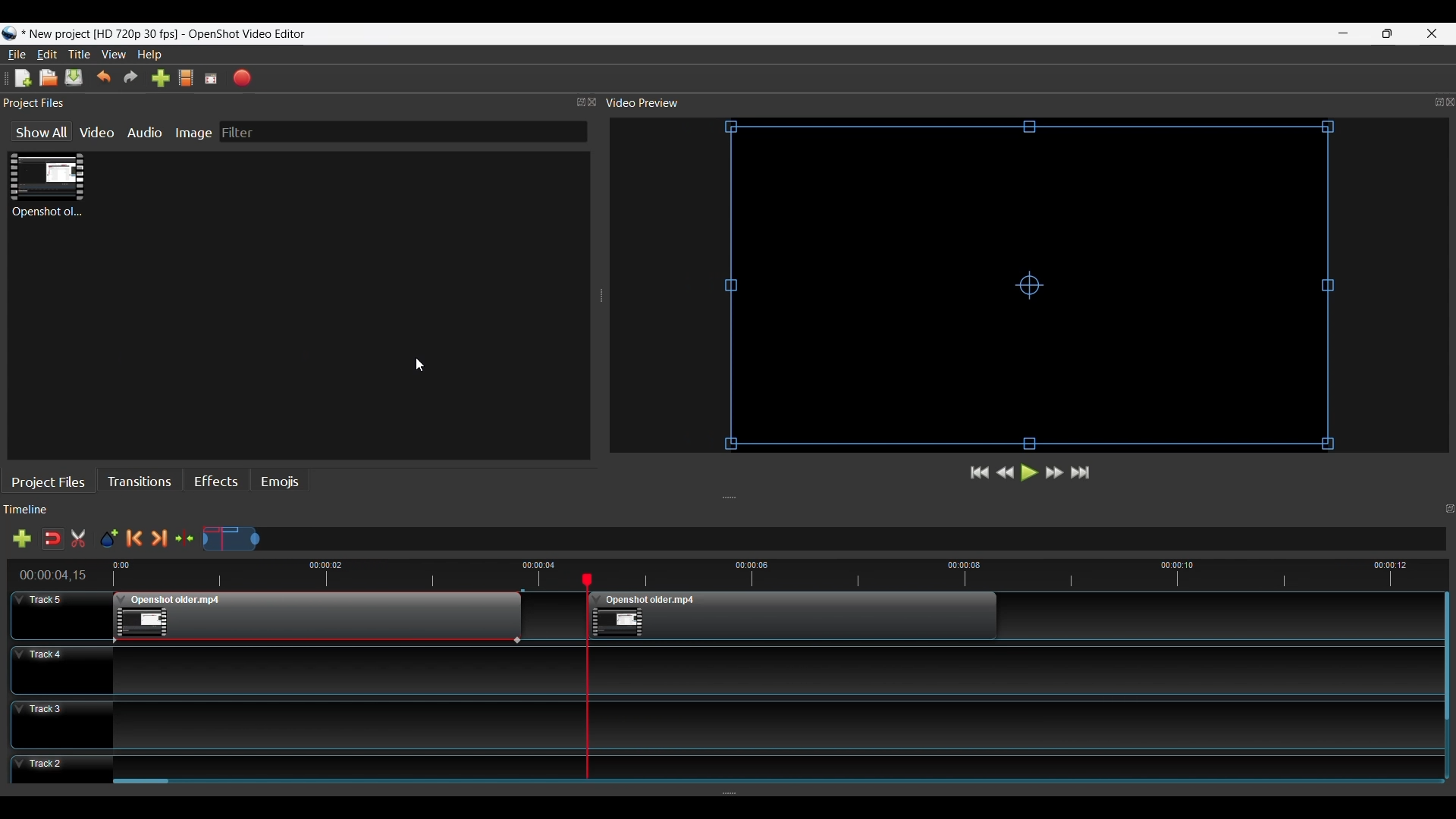  What do you see at coordinates (770, 669) in the screenshot?
I see `Track Panel` at bounding box center [770, 669].